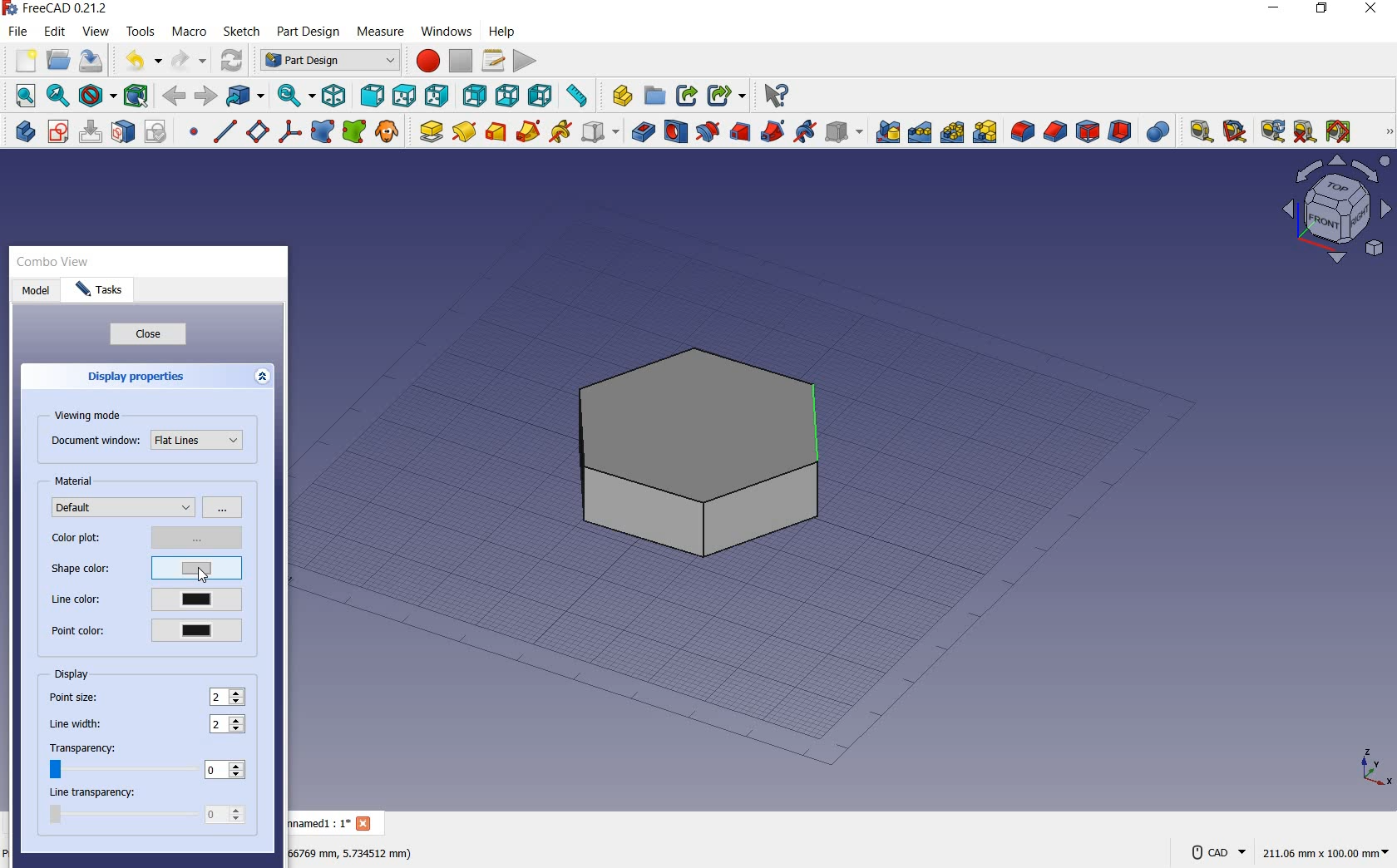 This screenshot has width=1397, height=868. Describe the element at coordinates (354, 132) in the screenshot. I see `create s sub-object shape binder` at that location.